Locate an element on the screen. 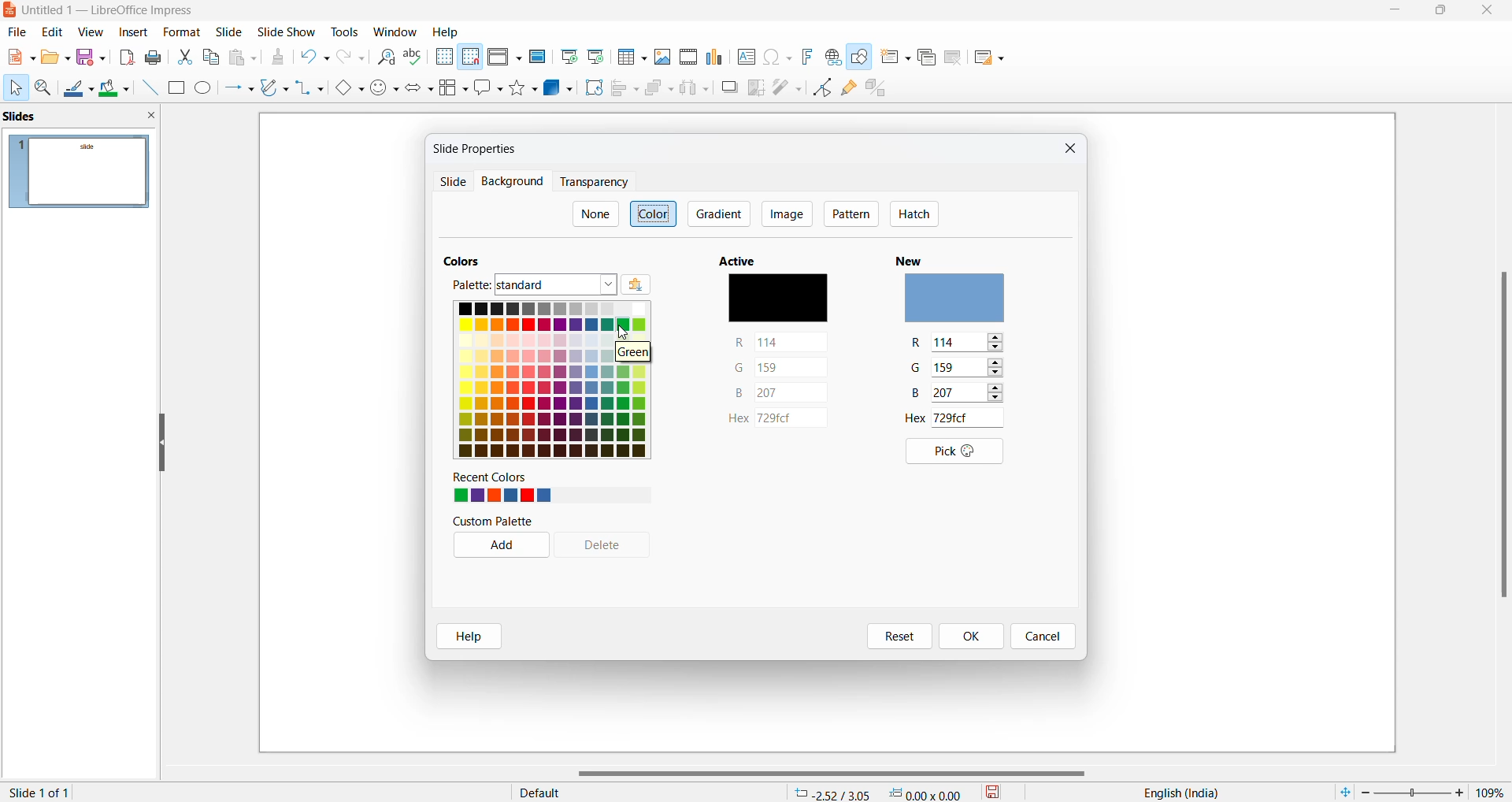 The width and height of the screenshot is (1512, 802). maximize is located at coordinates (1442, 13).